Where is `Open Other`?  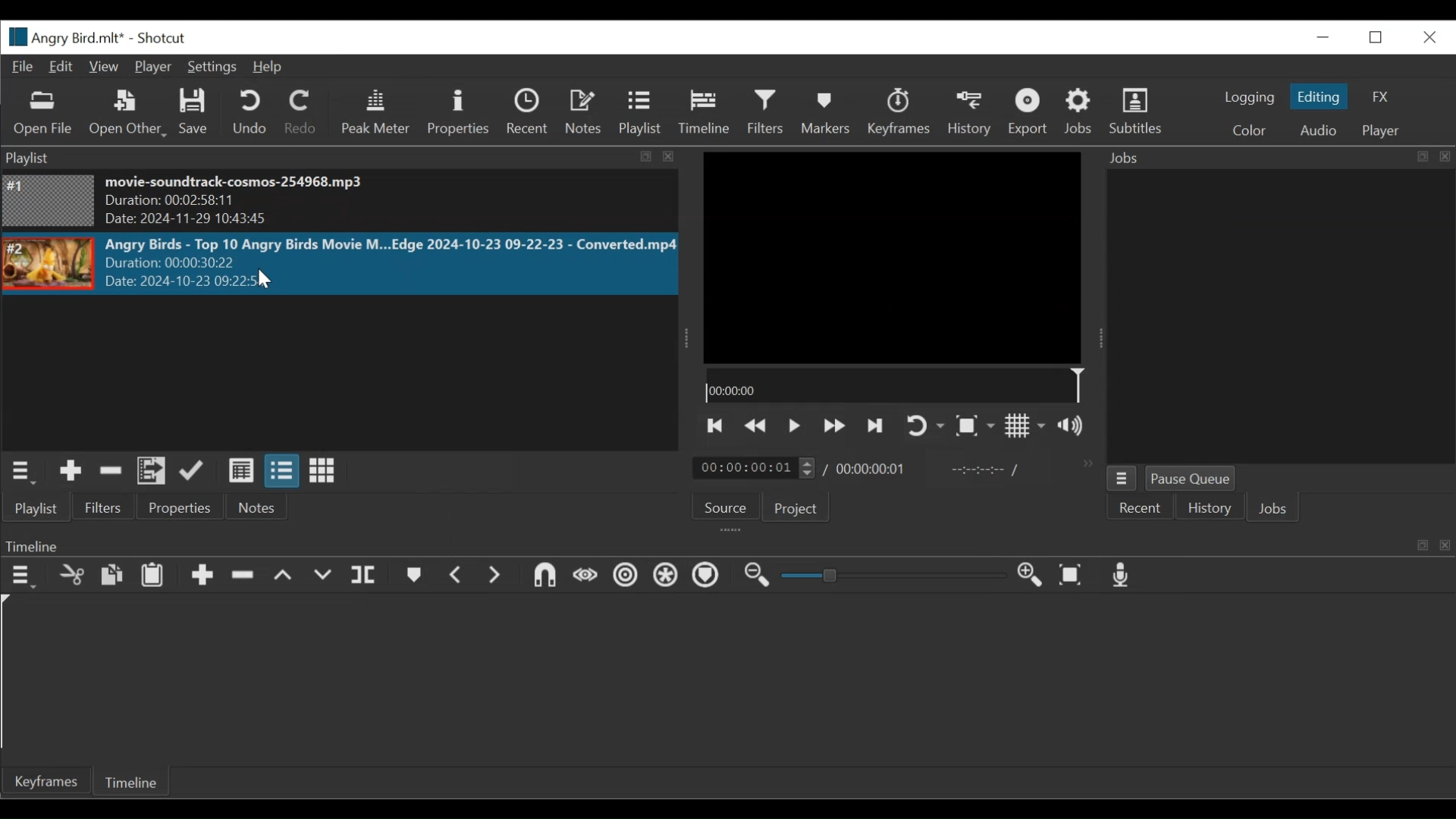
Open Other is located at coordinates (128, 114).